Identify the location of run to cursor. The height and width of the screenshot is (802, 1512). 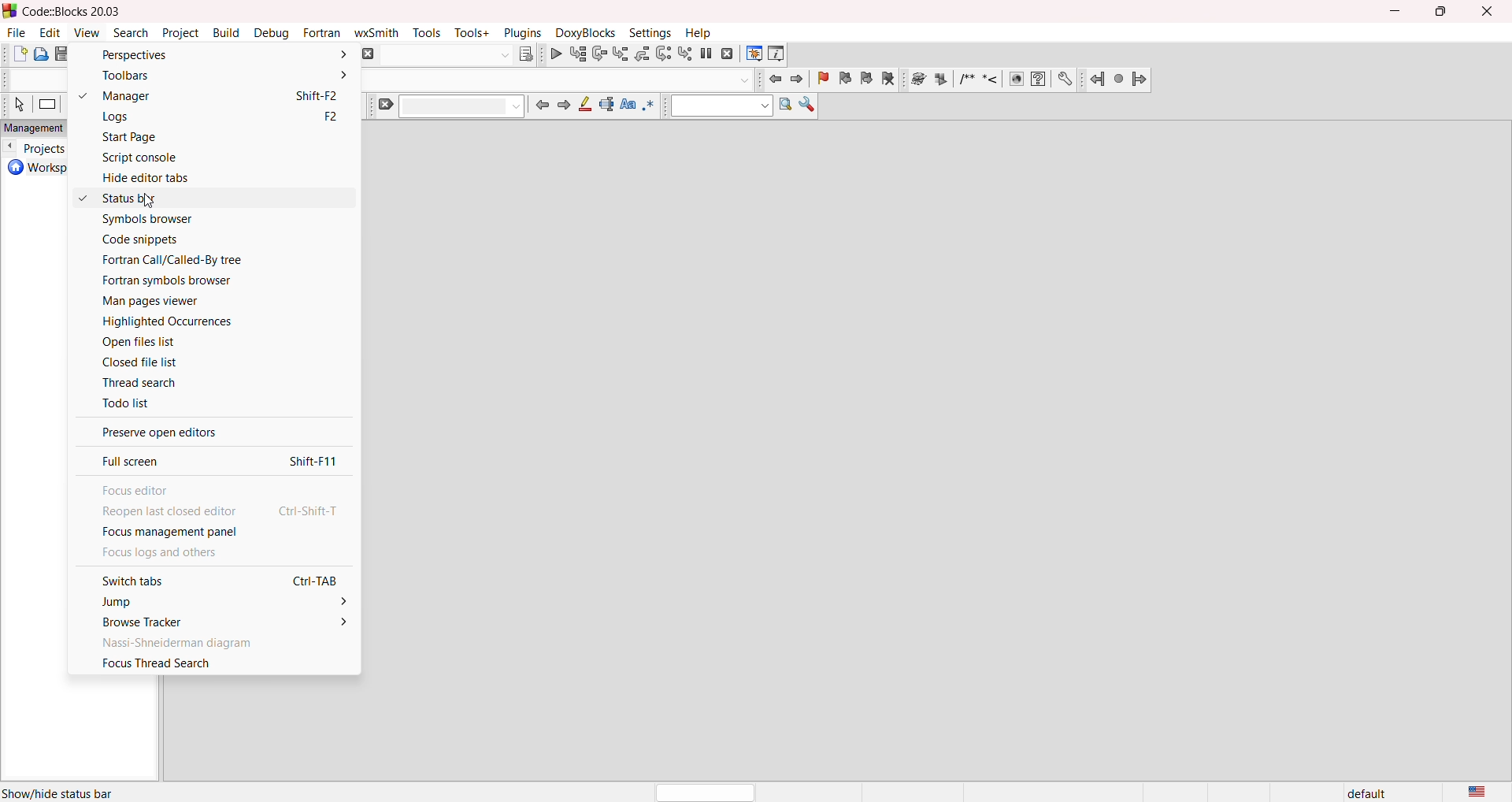
(577, 55).